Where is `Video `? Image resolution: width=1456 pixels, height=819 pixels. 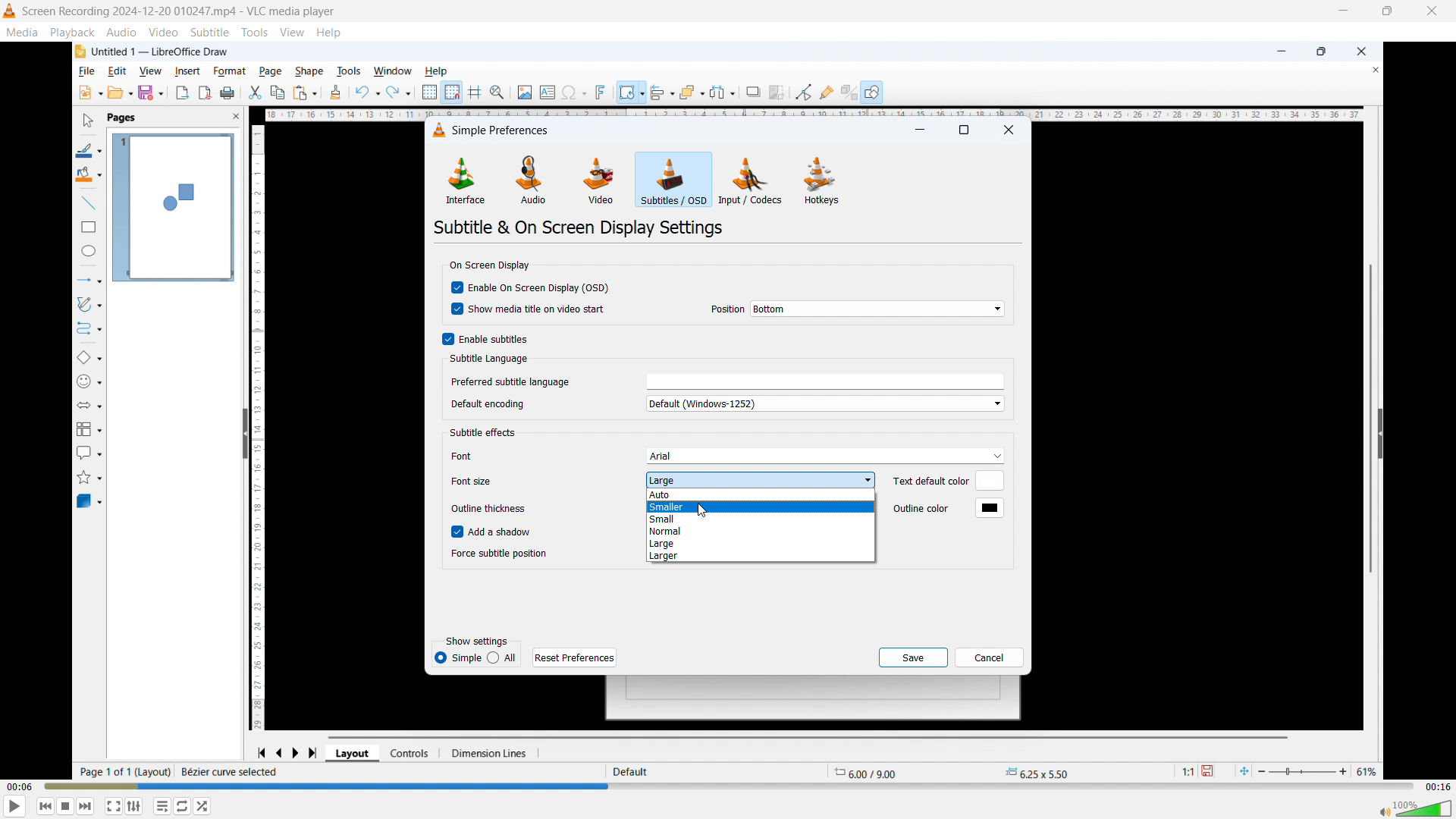
Video  is located at coordinates (162, 33).